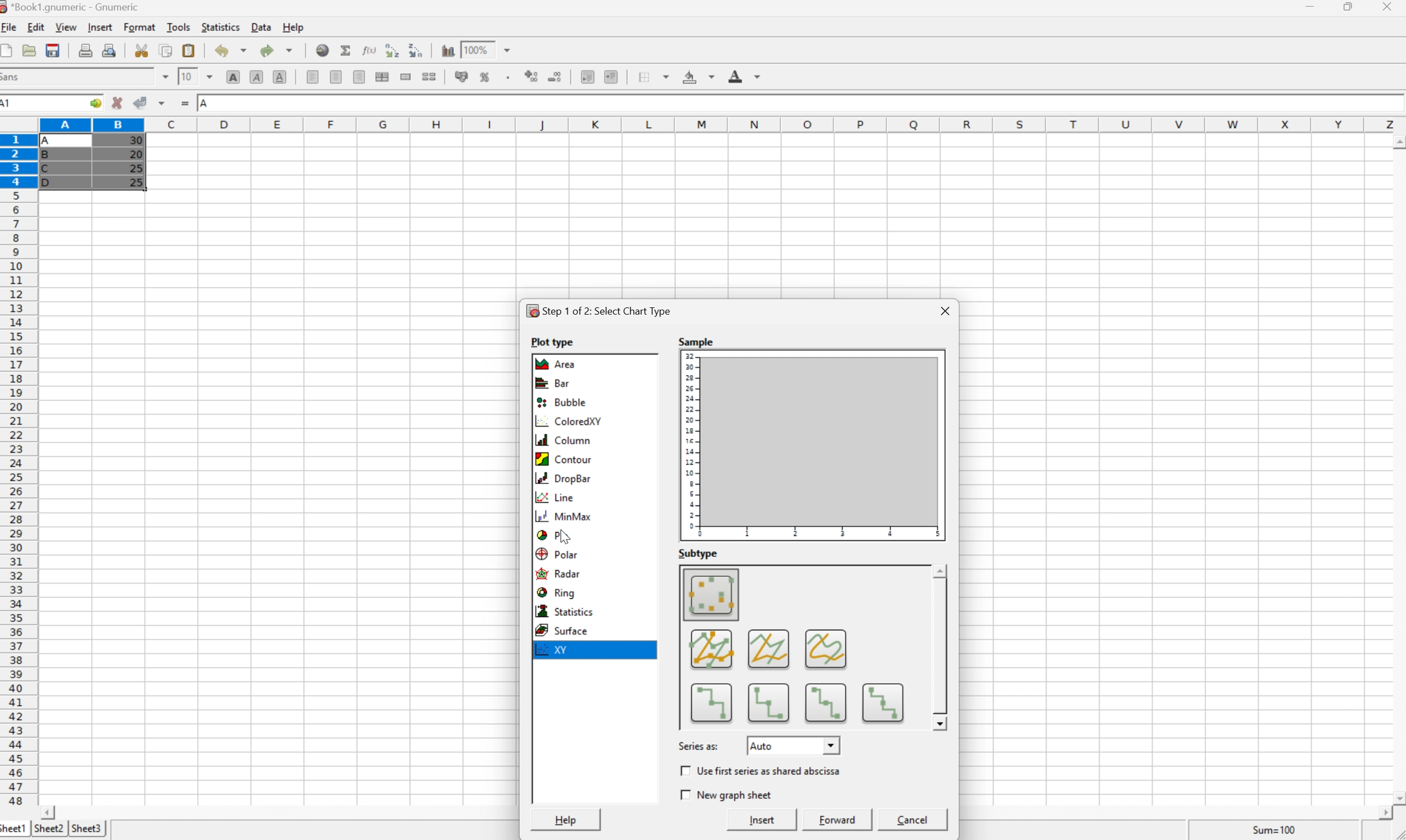 The image size is (1406, 840). I want to click on Save the current workbook, so click(52, 50).